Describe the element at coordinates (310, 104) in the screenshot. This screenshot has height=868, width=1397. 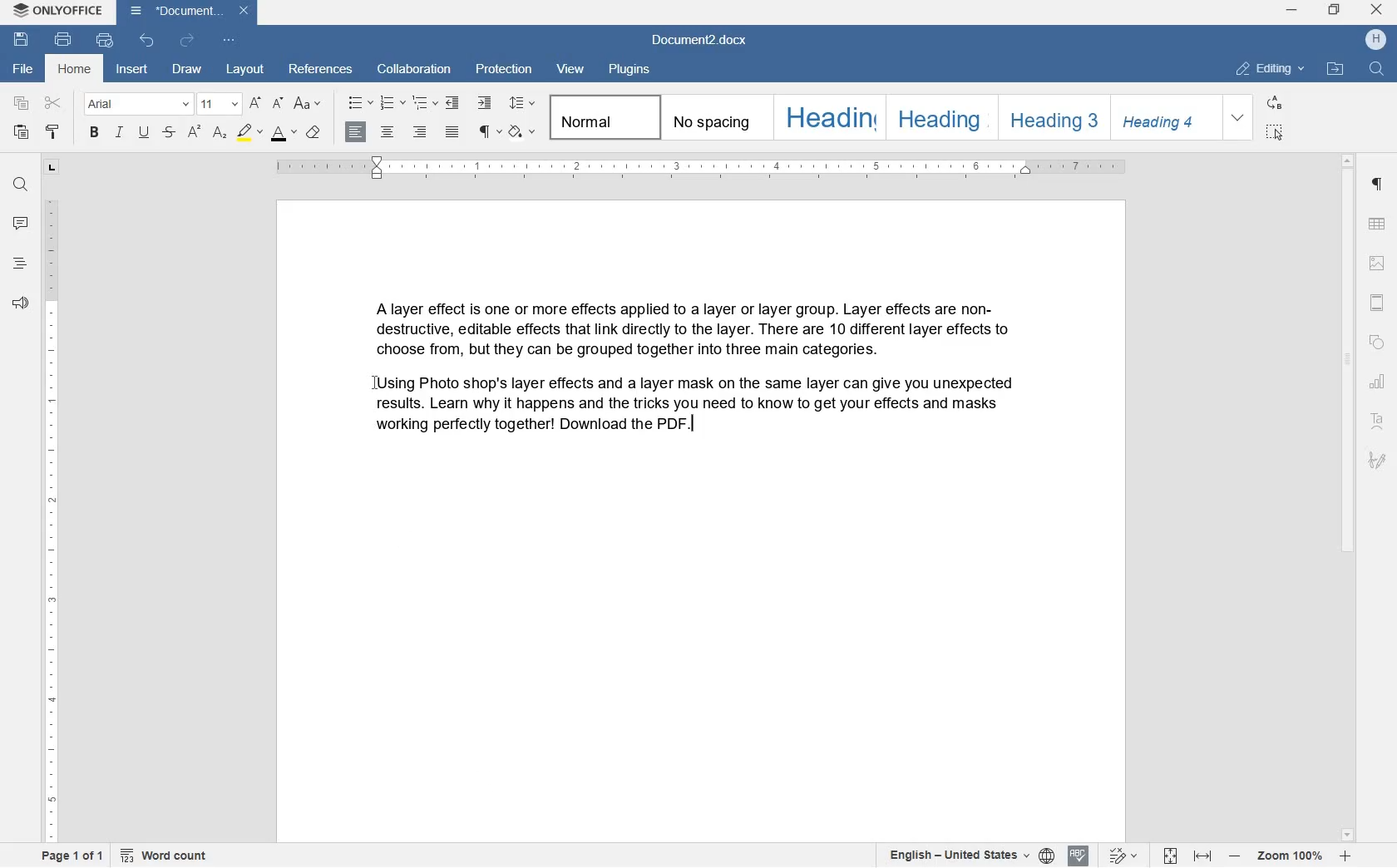
I see `CHANGE CASE` at that location.